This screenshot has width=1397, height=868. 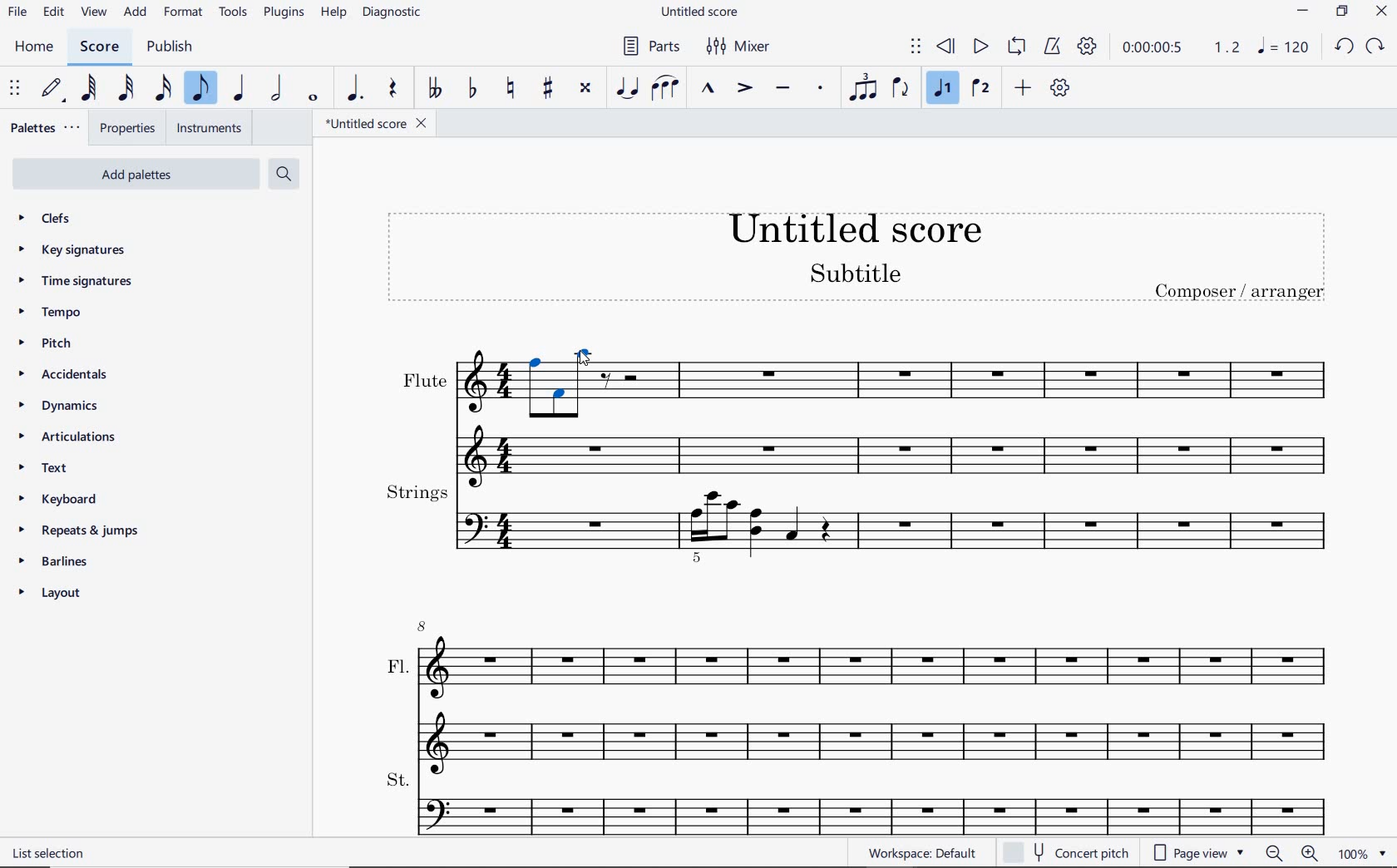 I want to click on clefs, so click(x=47, y=219).